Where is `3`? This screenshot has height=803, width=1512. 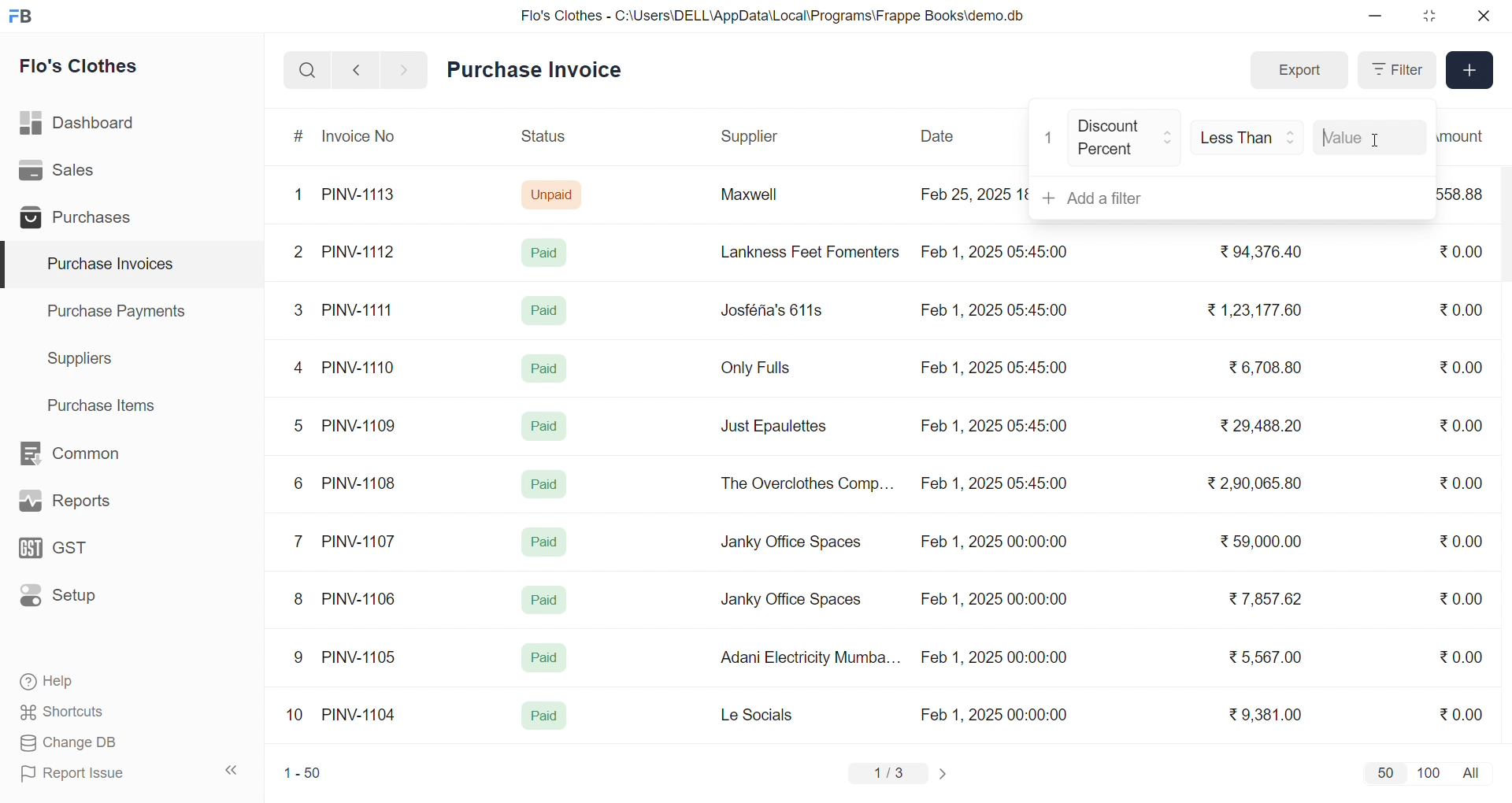
3 is located at coordinates (298, 309).